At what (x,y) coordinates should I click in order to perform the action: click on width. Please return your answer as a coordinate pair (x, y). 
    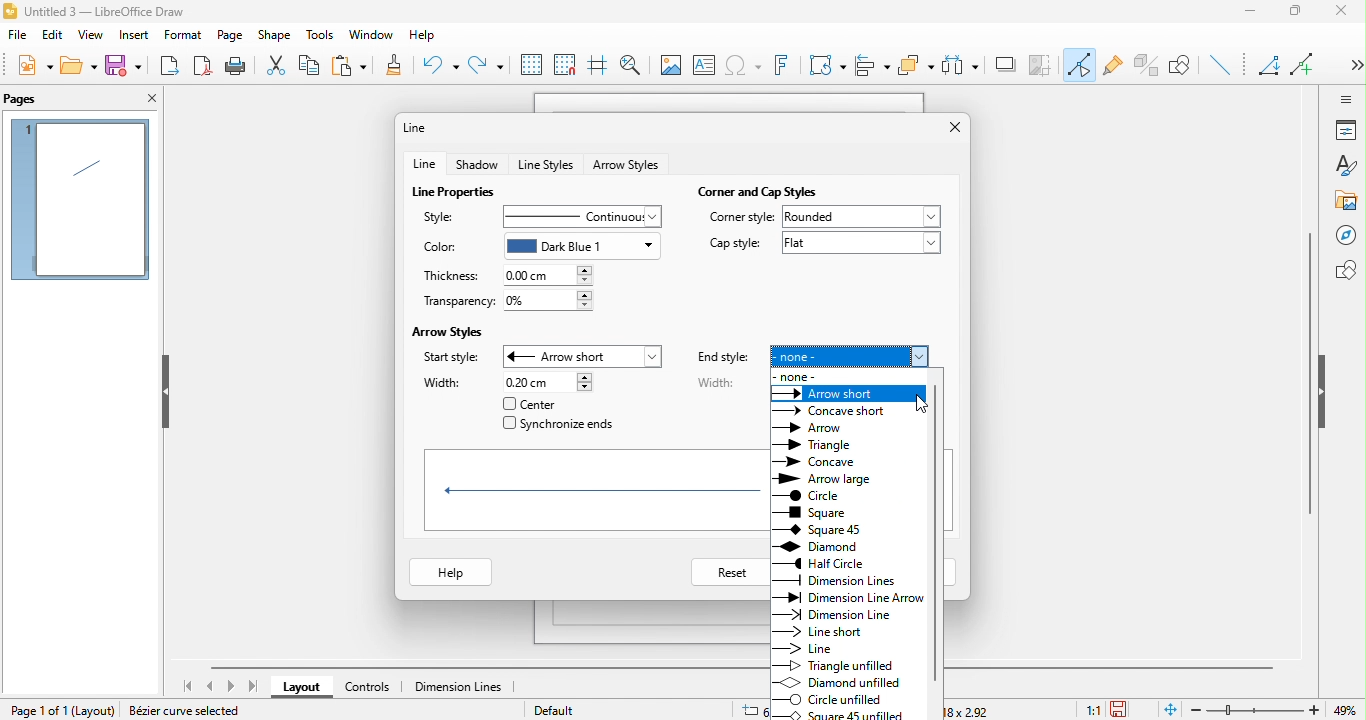
    Looking at the image, I should click on (444, 382).